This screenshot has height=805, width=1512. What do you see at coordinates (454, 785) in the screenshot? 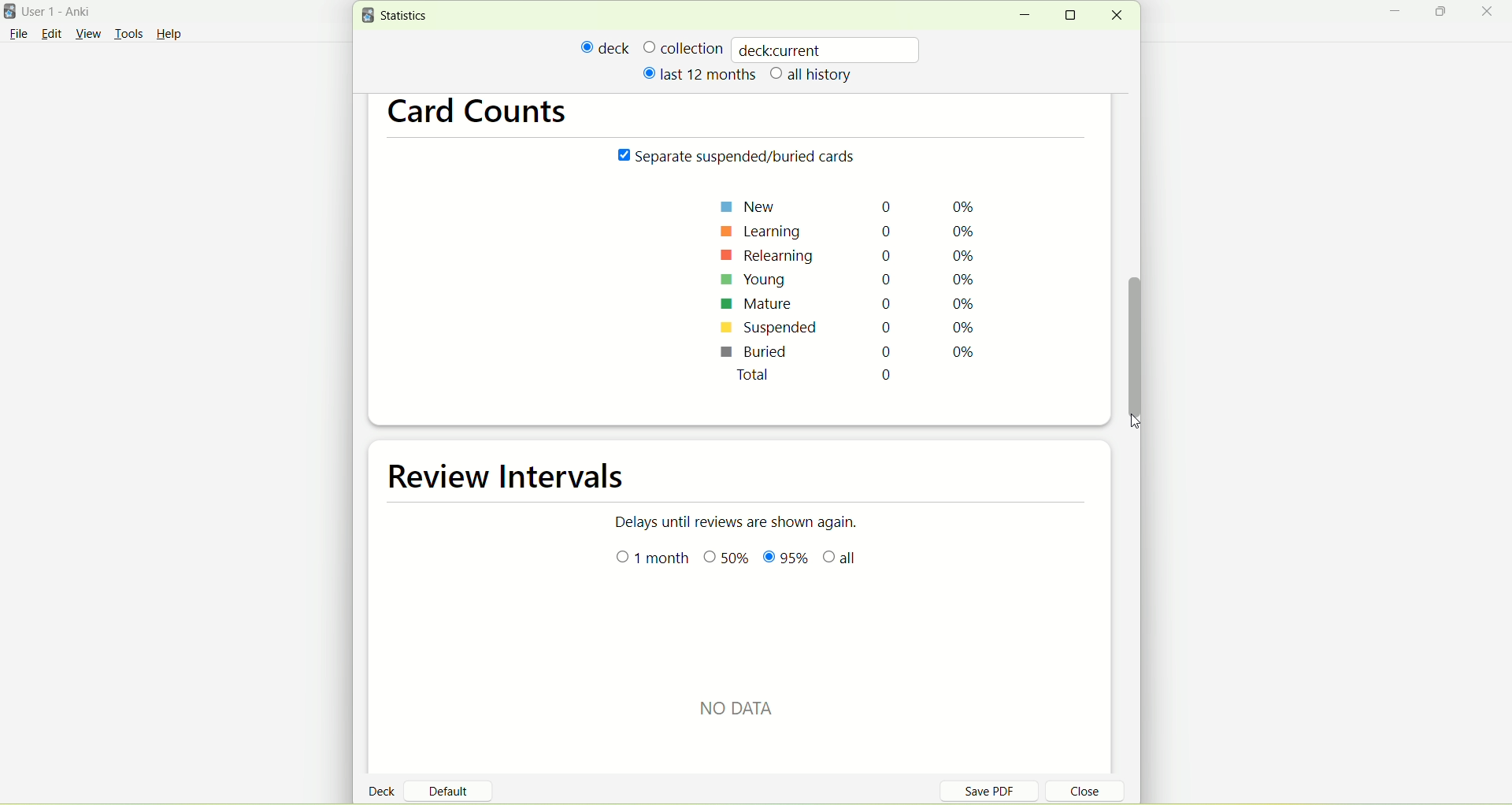
I see `default` at bounding box center [454, 785].